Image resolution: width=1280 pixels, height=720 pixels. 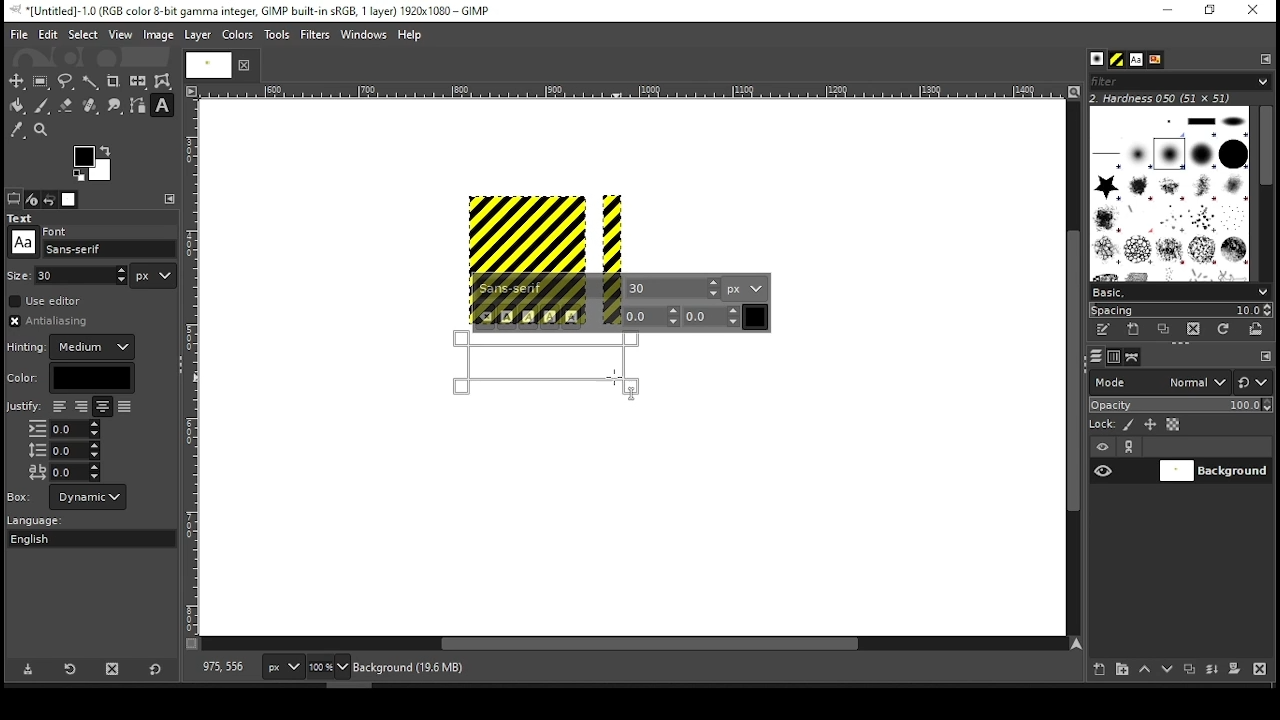 I want to click on , so click(x=23, y=408).